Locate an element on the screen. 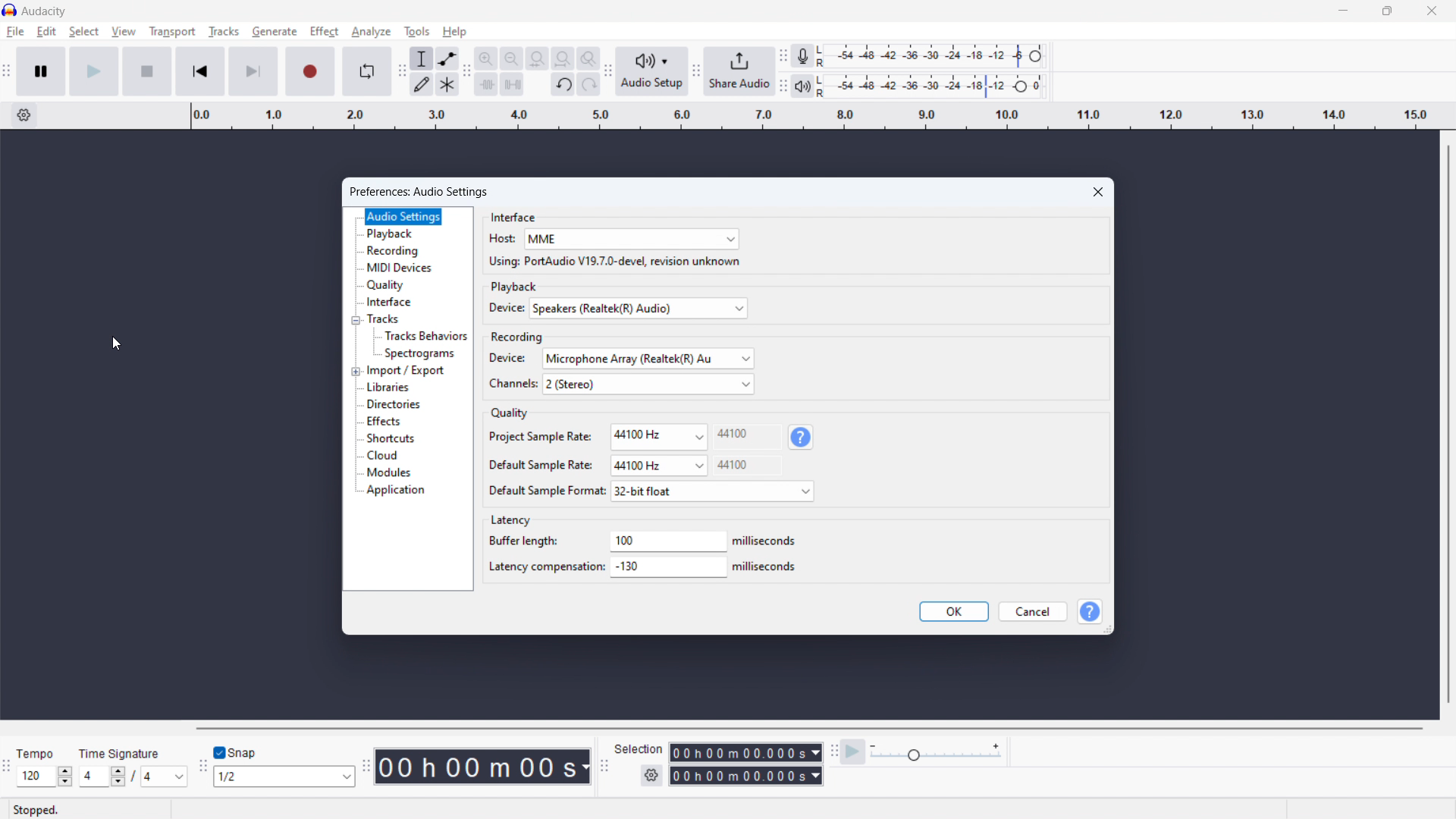 The image size is (1456, 819). Stopped is located at coordinates (39, 809).